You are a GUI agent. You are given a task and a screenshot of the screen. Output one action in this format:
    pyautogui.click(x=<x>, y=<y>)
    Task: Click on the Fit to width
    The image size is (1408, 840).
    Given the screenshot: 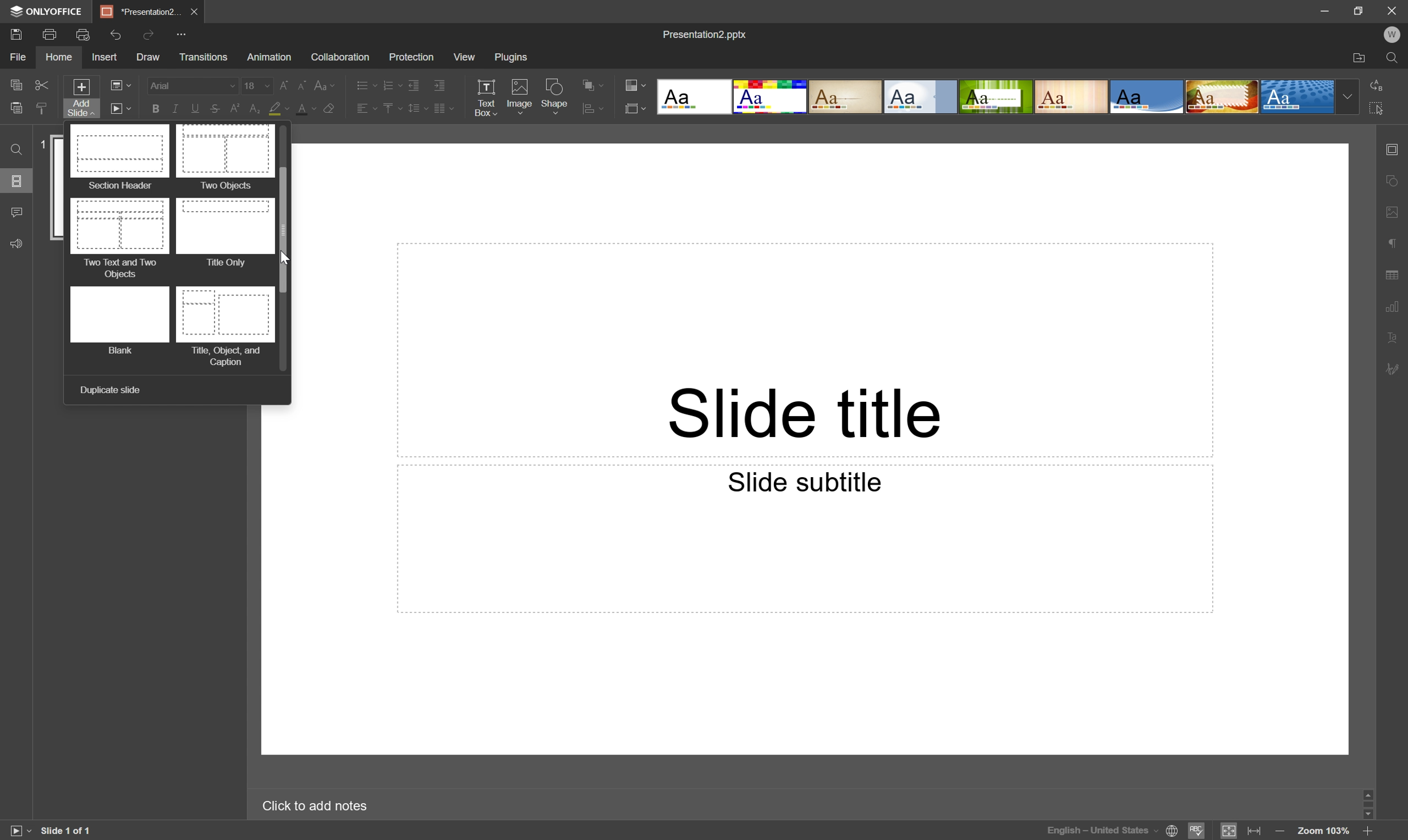 What is the action you would take?
    pyautogui.click(x=1256, y=832)
    